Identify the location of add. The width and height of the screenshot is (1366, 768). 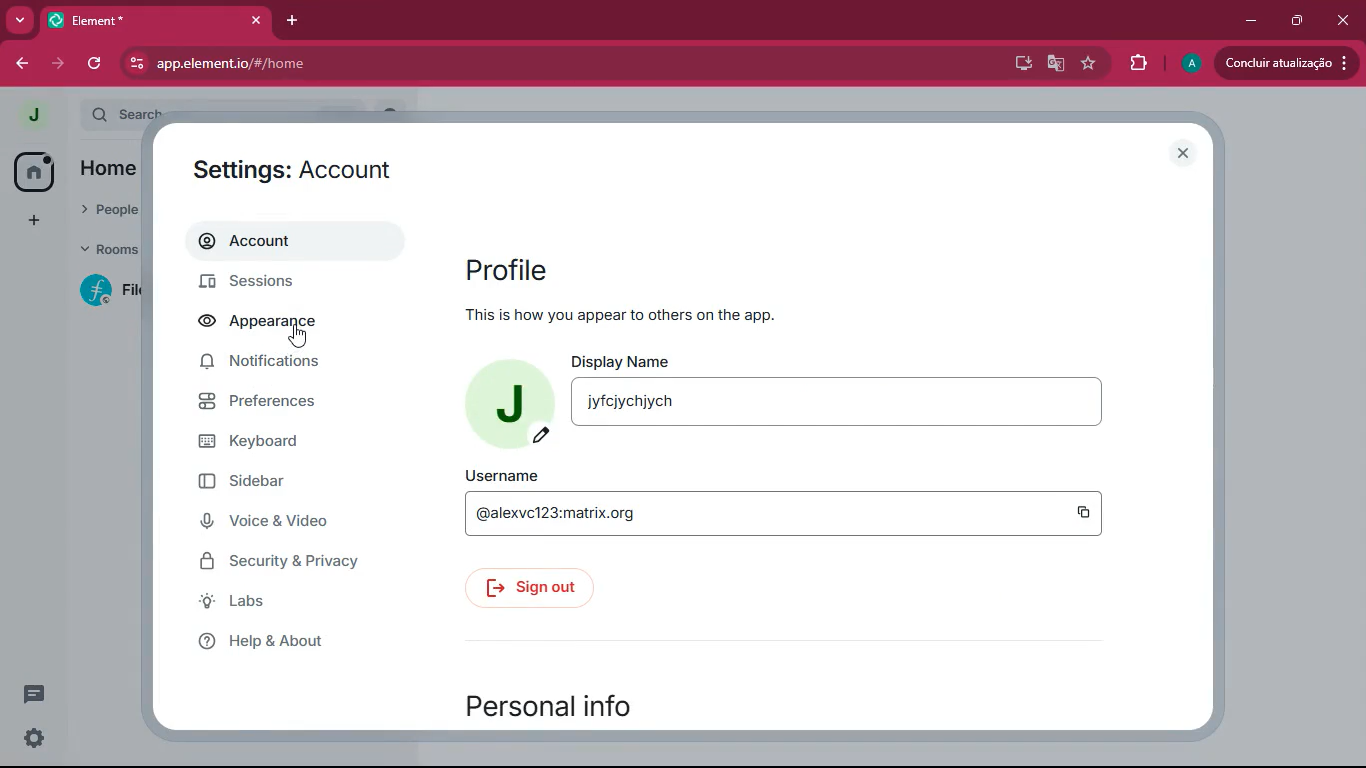
(34, 221).